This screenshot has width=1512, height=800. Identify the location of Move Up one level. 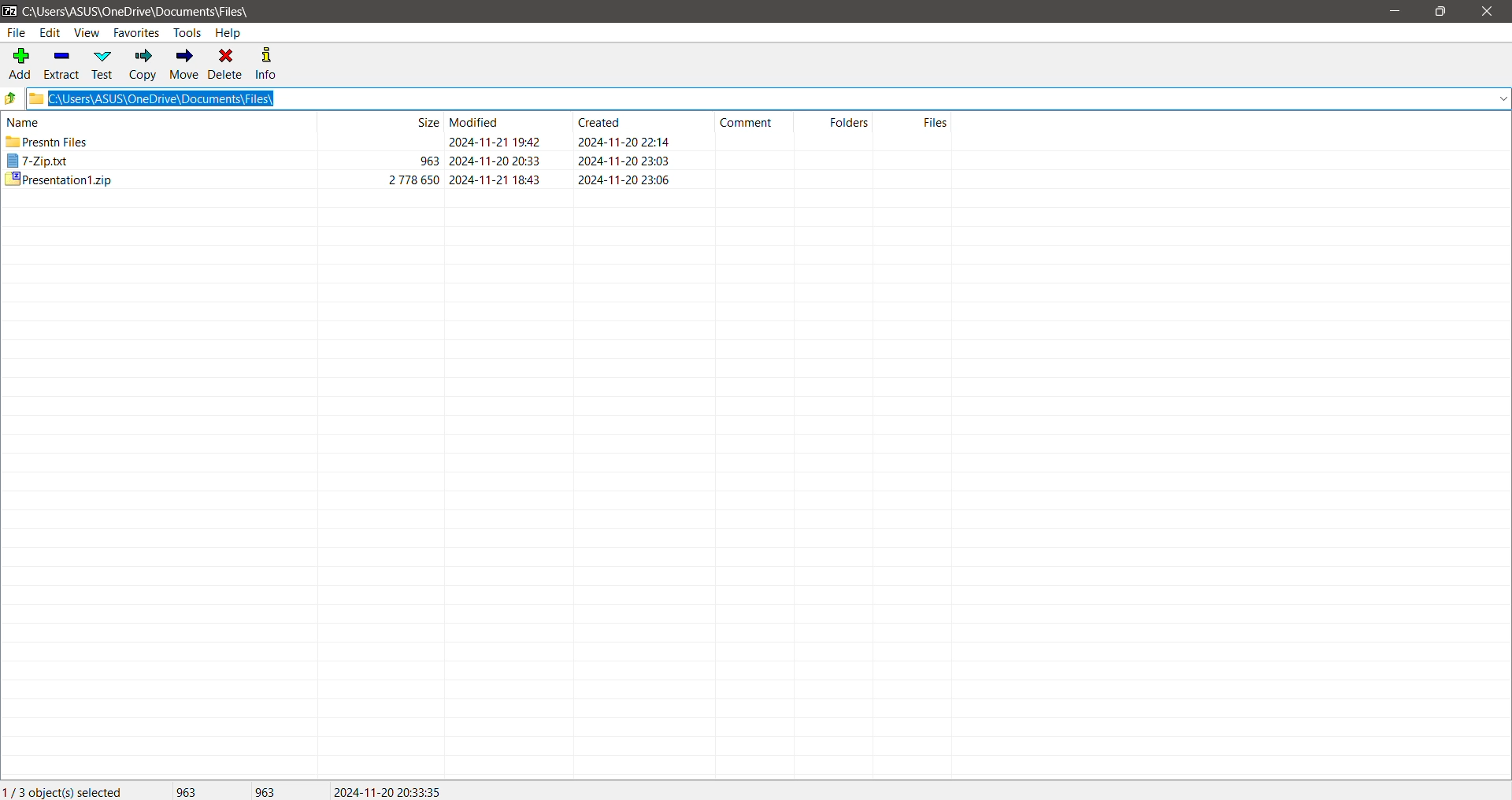
(11, 99).